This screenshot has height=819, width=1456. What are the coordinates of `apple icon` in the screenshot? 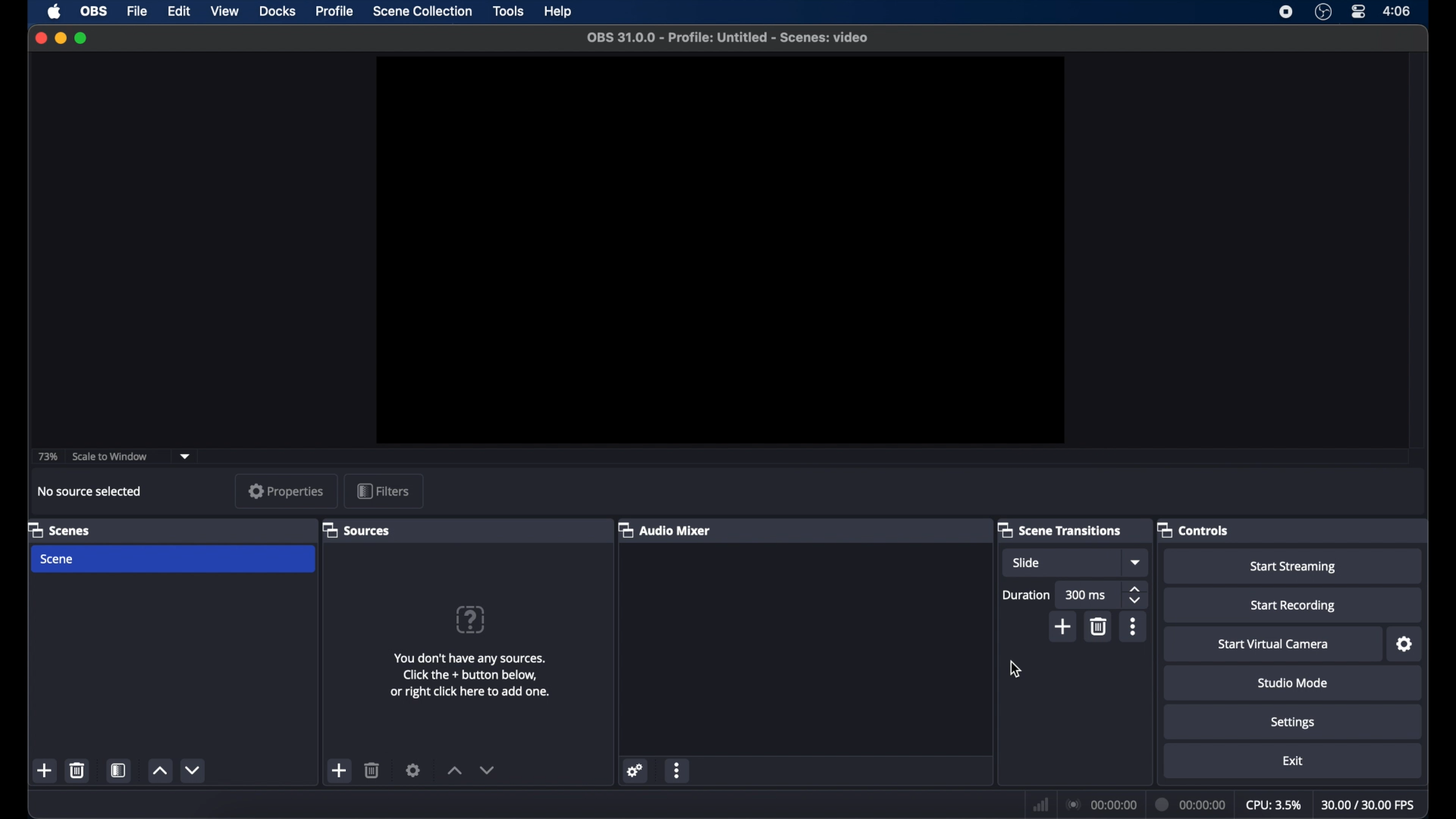 It's located at (55, 11).